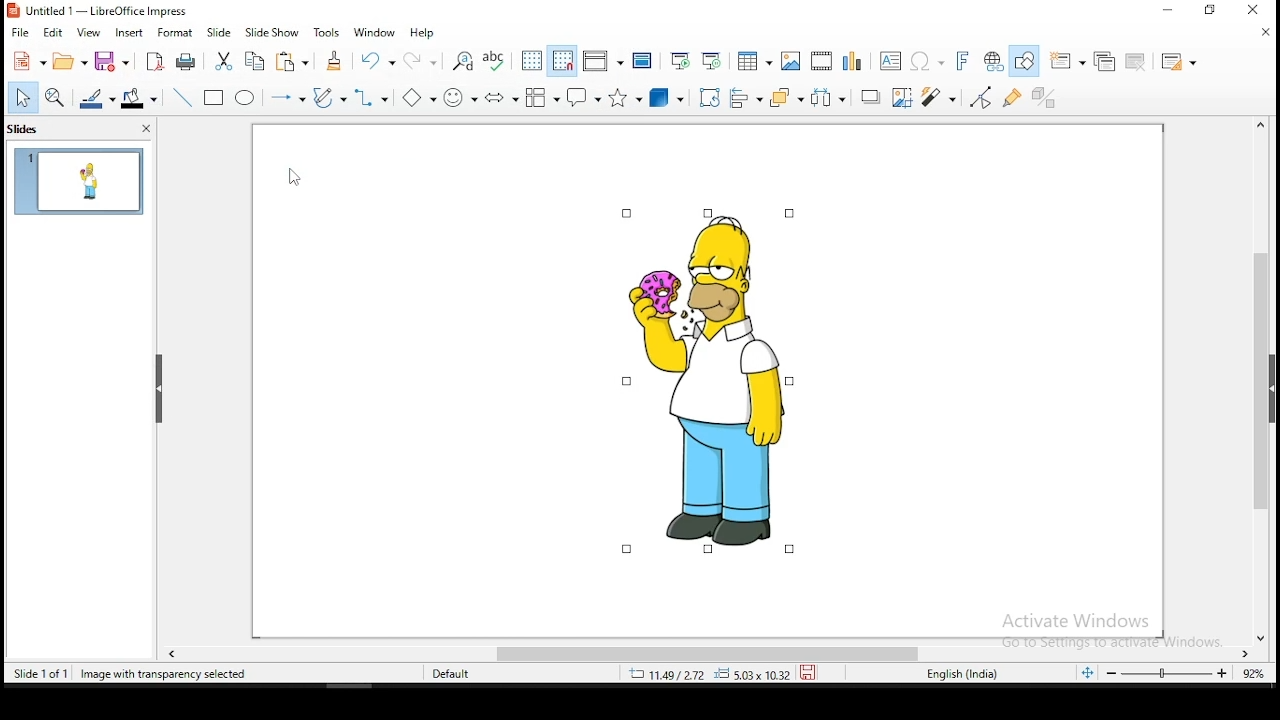 Image resolution: width=1280 pixels, height=720 pixels. What do you see at coordinates (667, 95) in the screenshot?
I see `3D objects` at bounding box center [667, 95].